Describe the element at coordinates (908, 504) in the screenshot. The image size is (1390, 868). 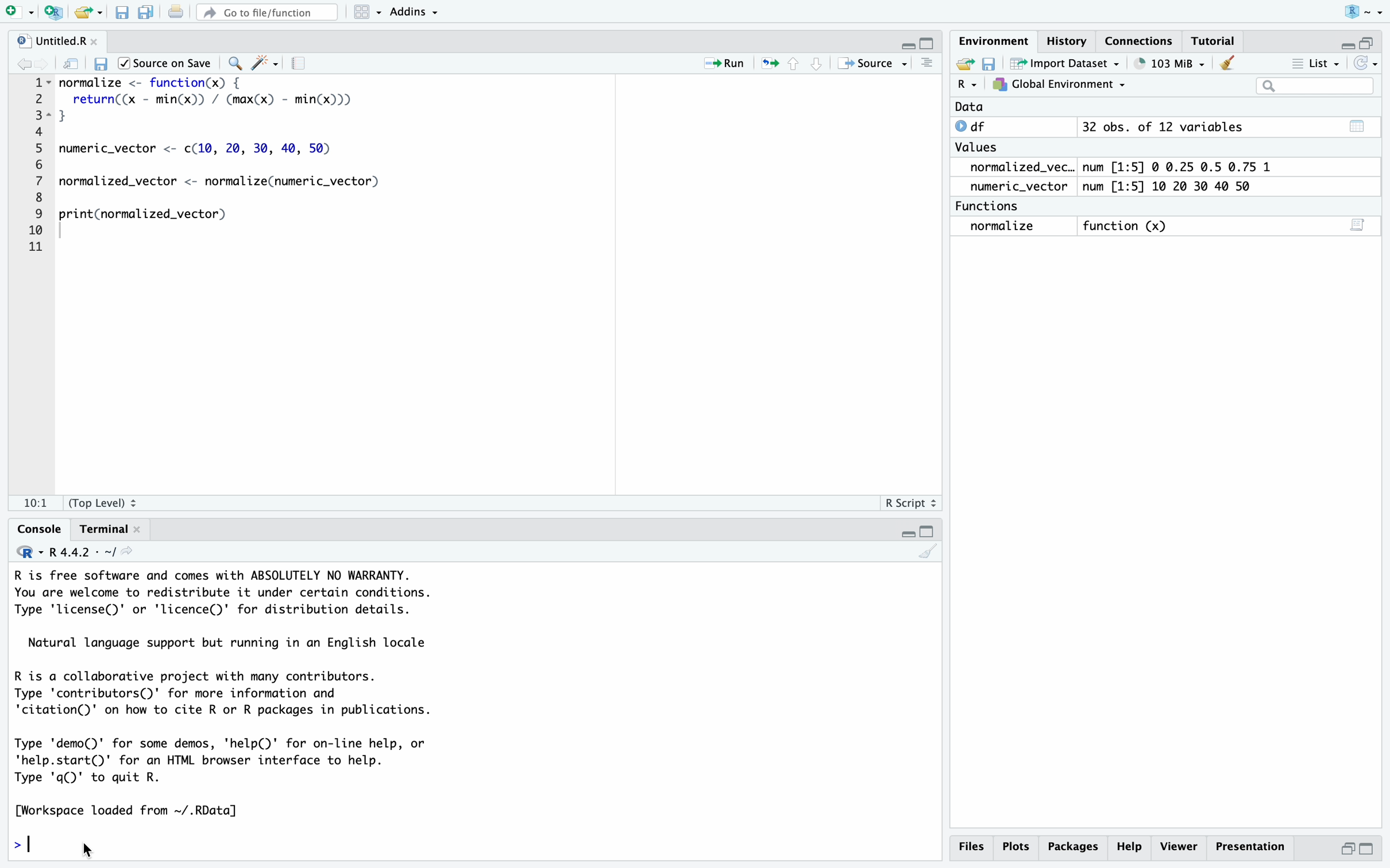
I see `R script` at that location.